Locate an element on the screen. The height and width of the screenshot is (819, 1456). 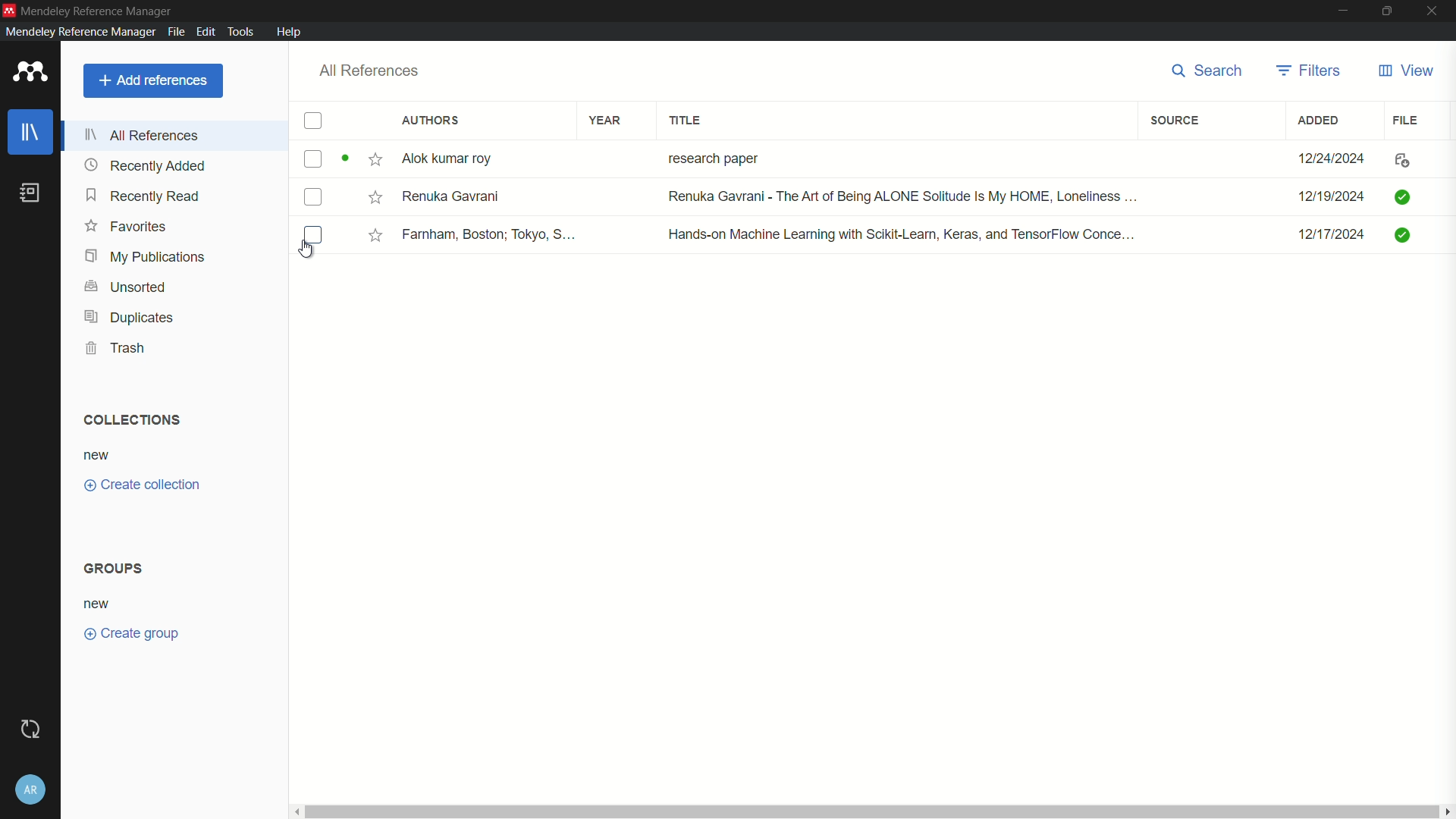
Checkbox is located at coordinates (315, 234).